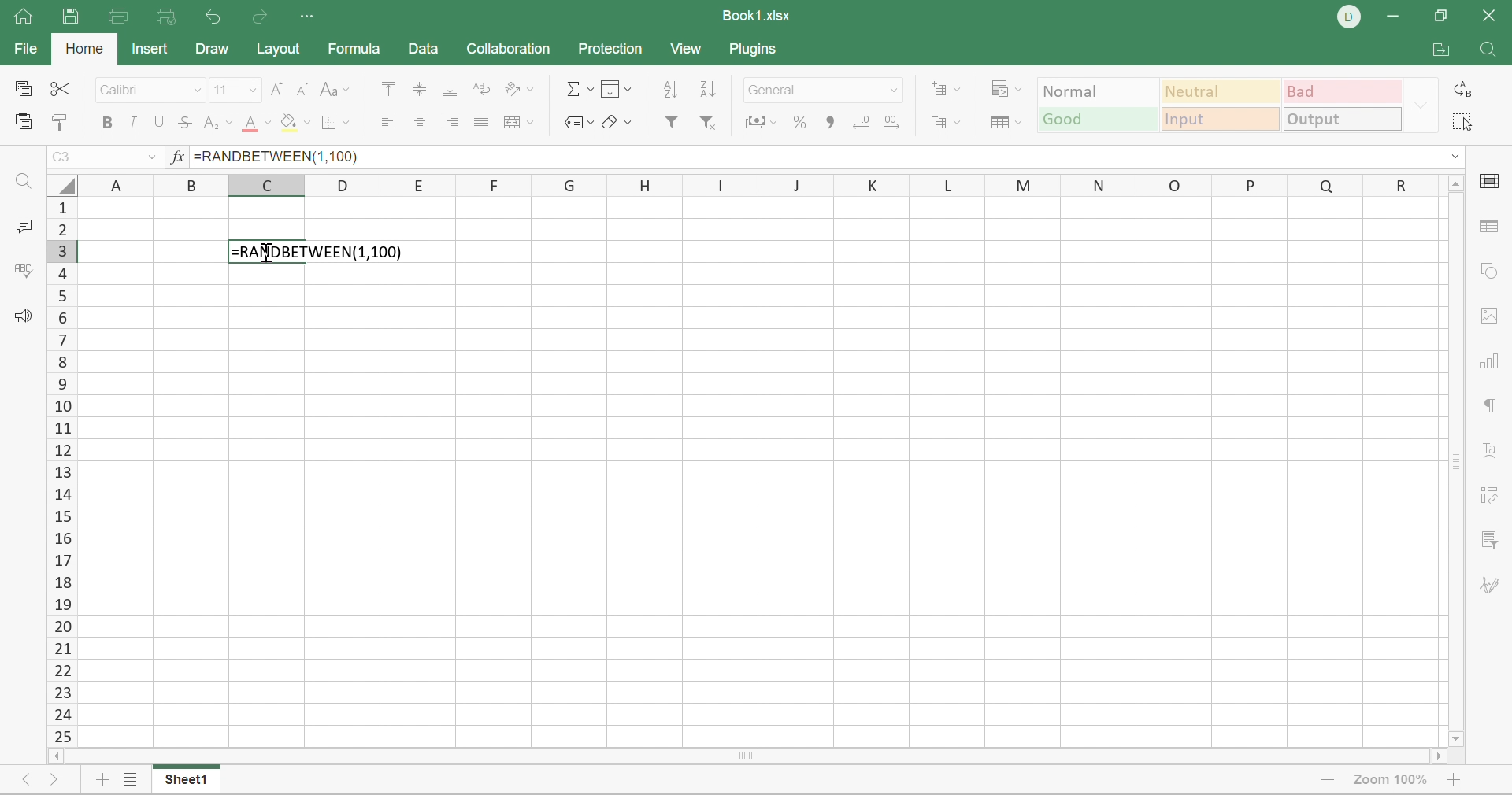 The width and height of the screenshot is (1512, 795). Describe the element at coordinates (21, 227) in the screenshot. I see `Comments` at that location.